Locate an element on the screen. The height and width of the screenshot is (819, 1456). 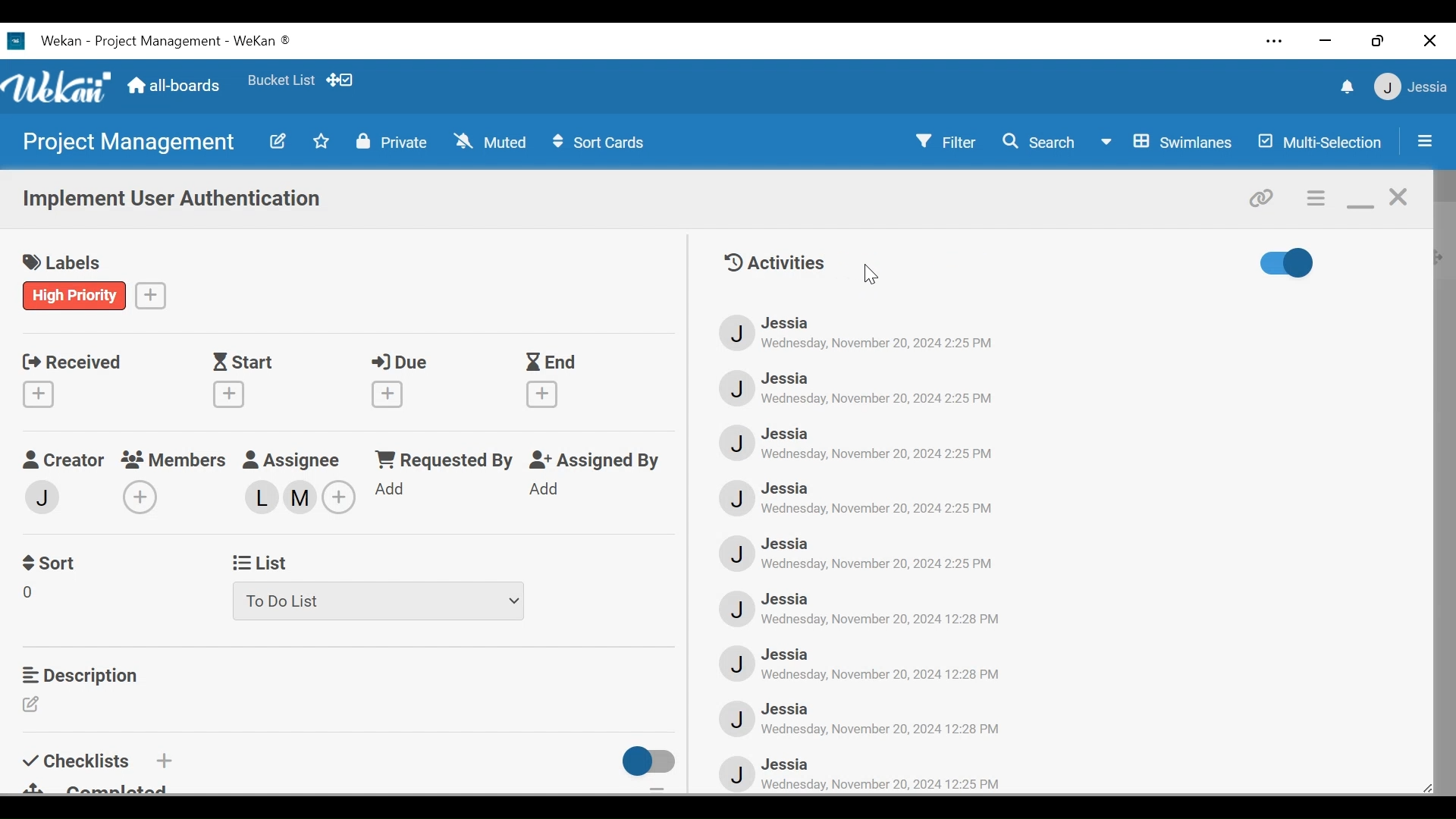
Member Name is located at coordinates (787, 708).